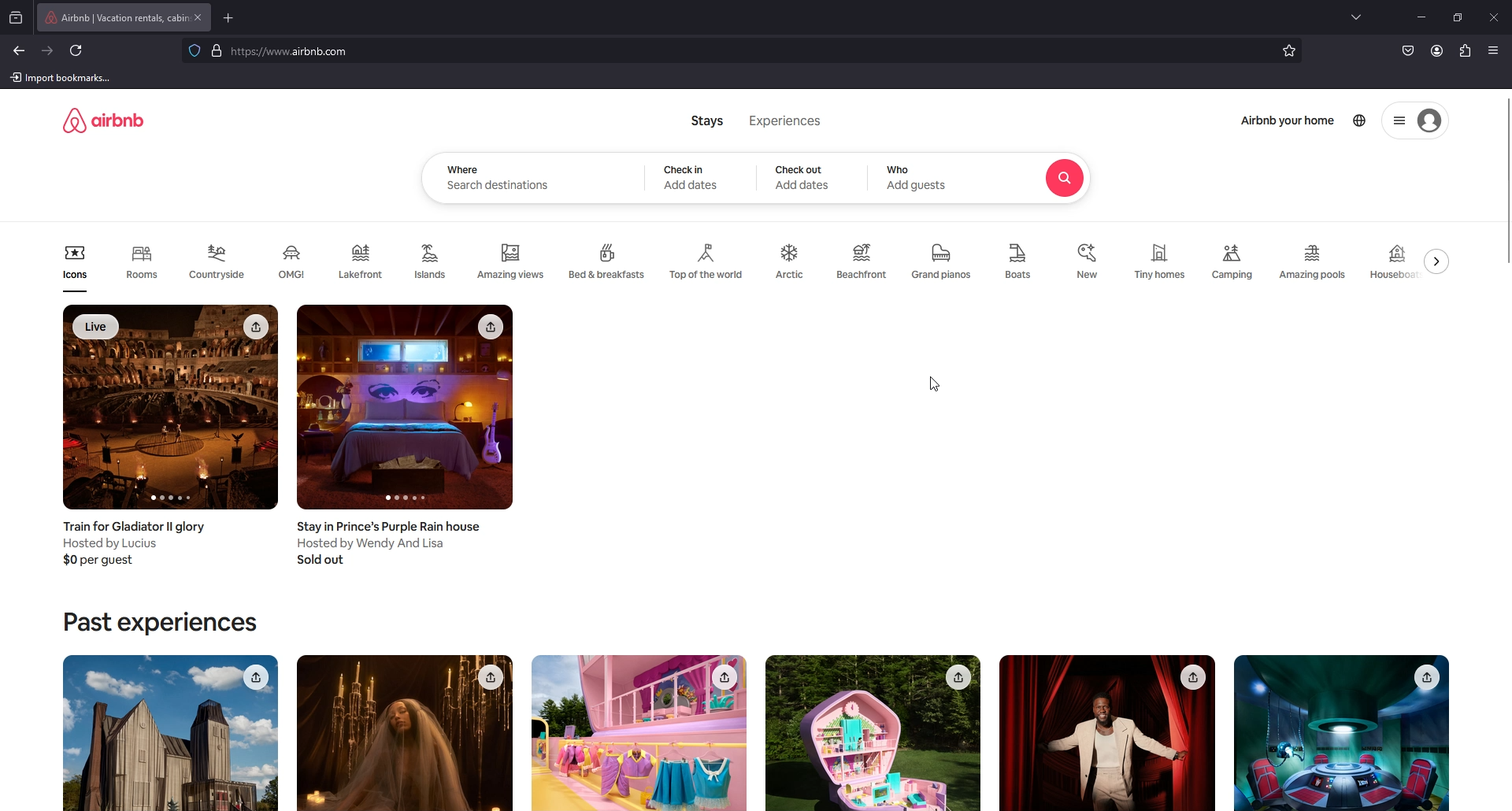 The width and height of the screenshot is (1512, 811). What do you see at coordinates (1361, 120) in the screenshot?
I see `world` at bounding box center [1361, 120].